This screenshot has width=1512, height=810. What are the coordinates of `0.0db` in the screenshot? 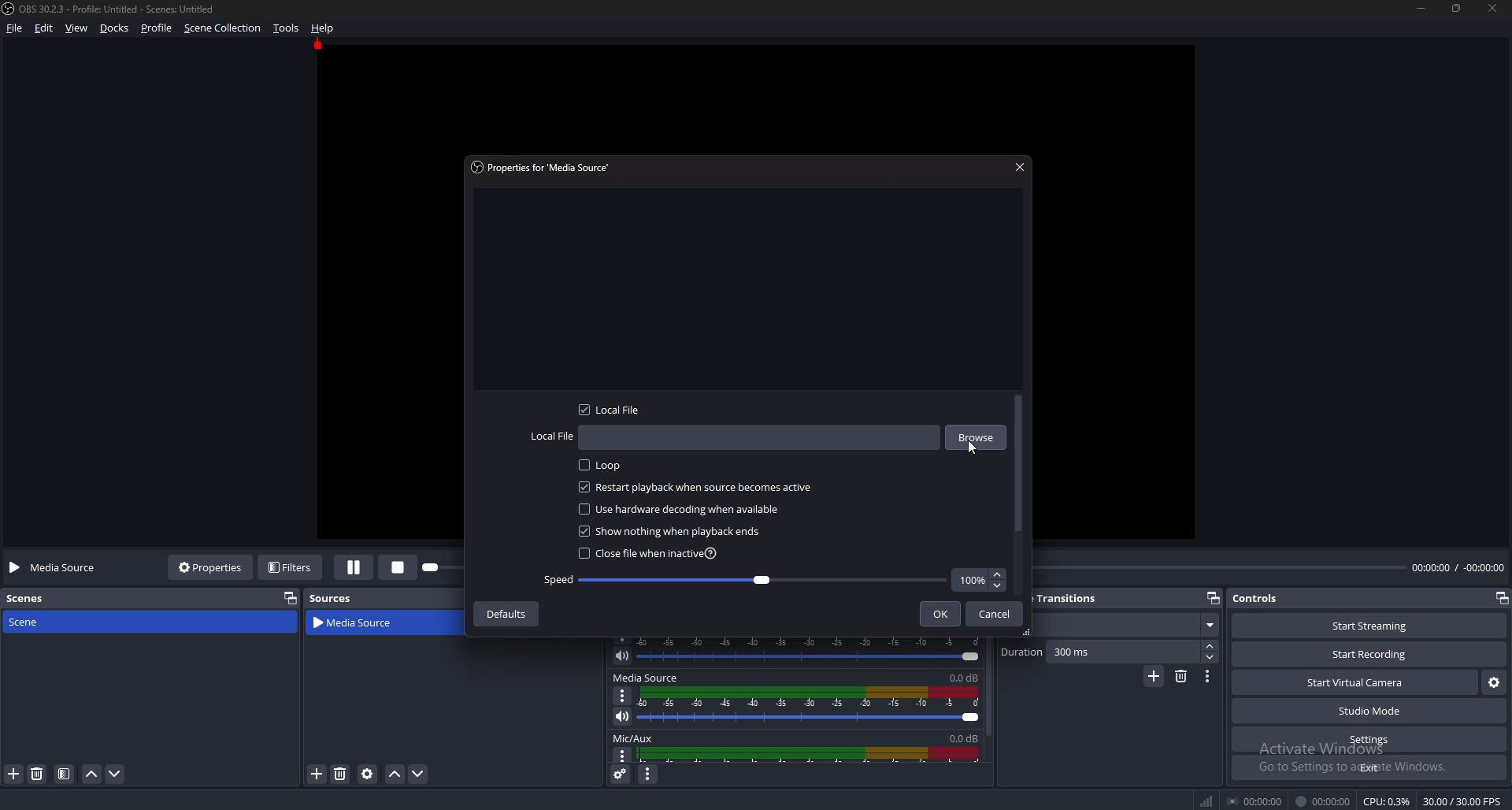 It's located at (966, 676).